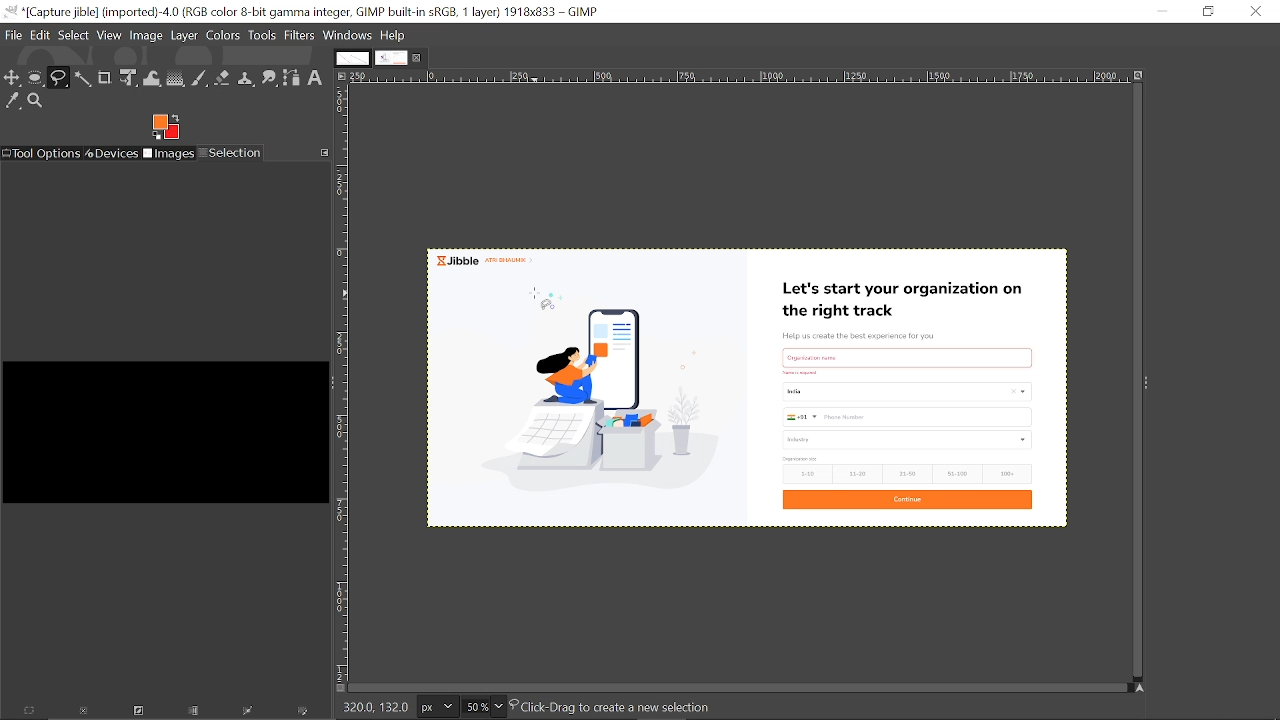 The width and height of the screenshot is (1280, 720). Describe the element at coordinates (185, 35) in the screenshot. I see `Layer` at that location.